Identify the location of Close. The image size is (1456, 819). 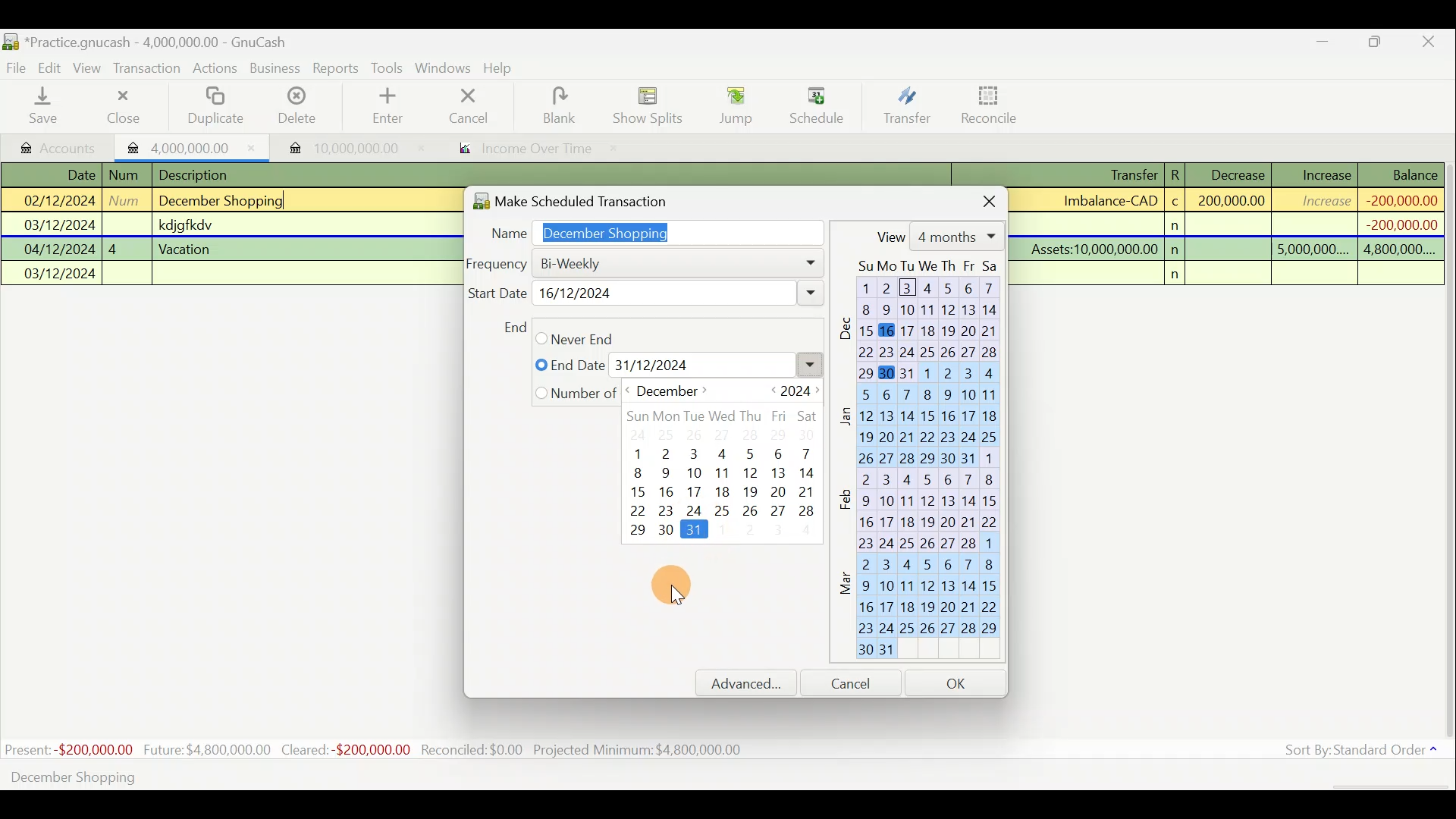
(1429, 44).